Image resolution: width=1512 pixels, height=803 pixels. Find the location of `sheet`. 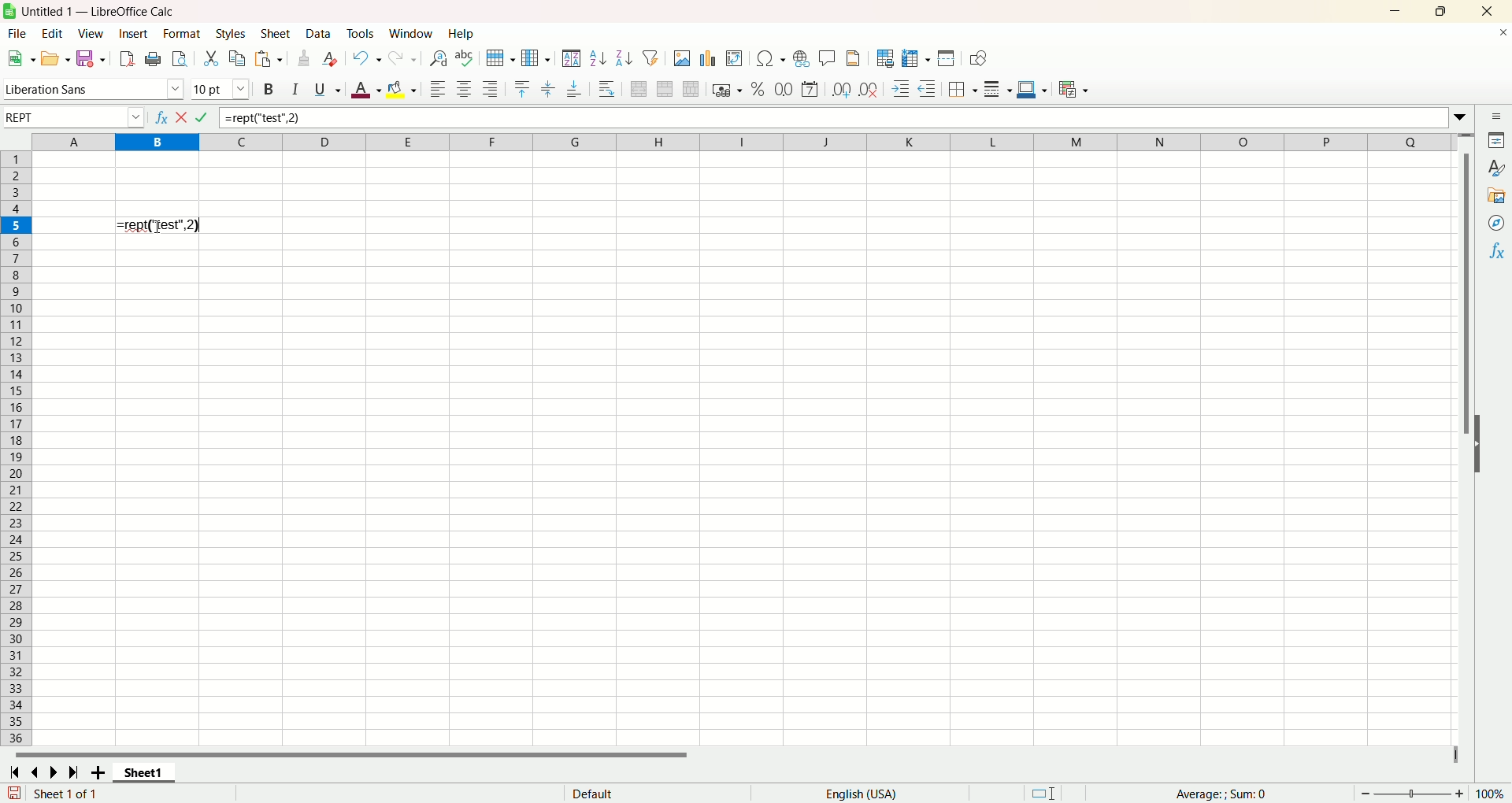

sheet is located at coordinates (279, 33).